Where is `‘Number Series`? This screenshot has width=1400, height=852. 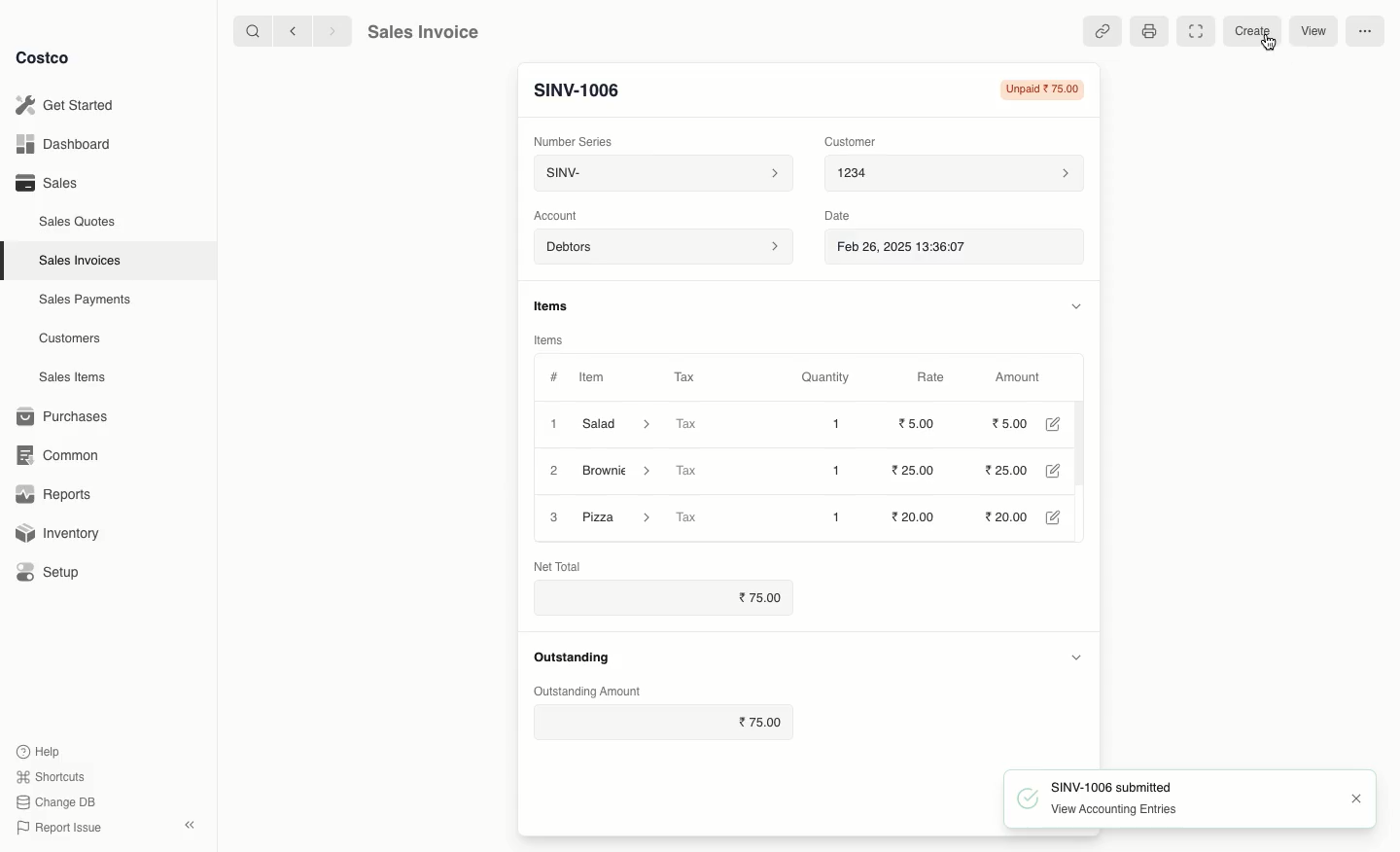 ‘Number Series is located at coordinates (570, 142).